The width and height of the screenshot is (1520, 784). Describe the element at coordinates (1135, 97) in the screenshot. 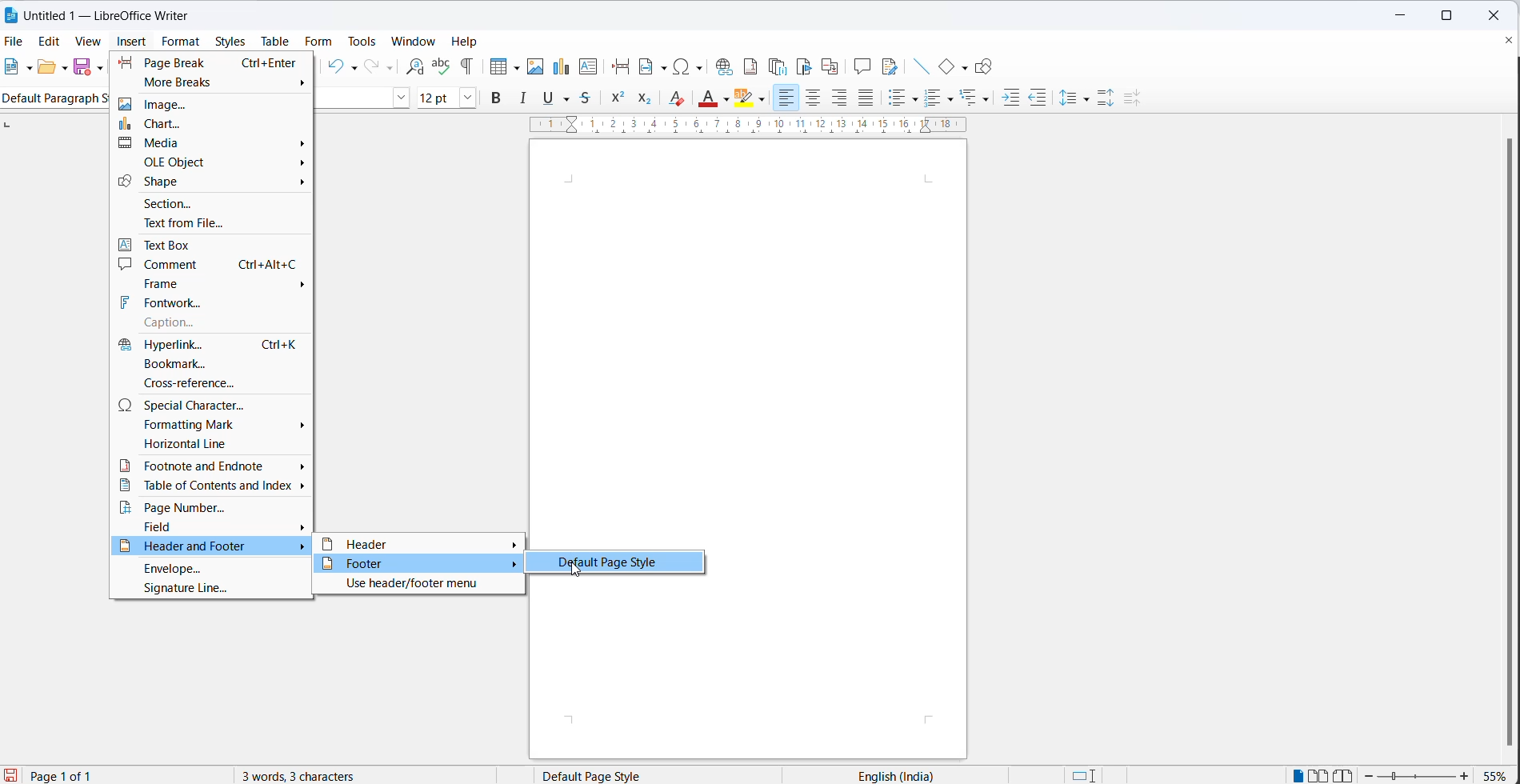

I see `decrease paragraph spacing` at that location.